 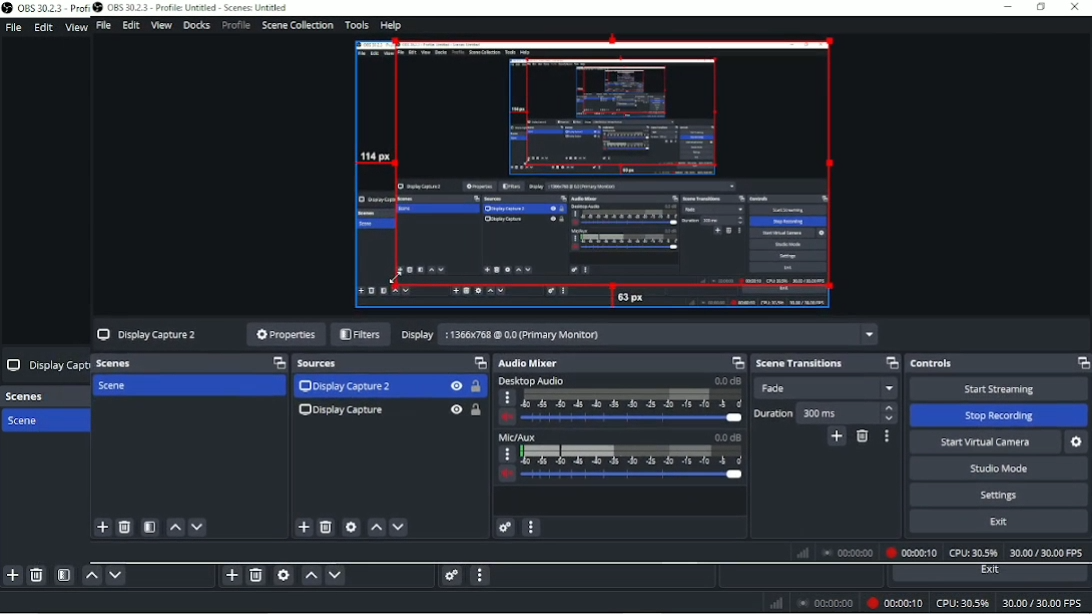 What do you see at coordinates (149, 334) in the screenshot?
I see `Display Capture 2` at bounding box center [149, 334].